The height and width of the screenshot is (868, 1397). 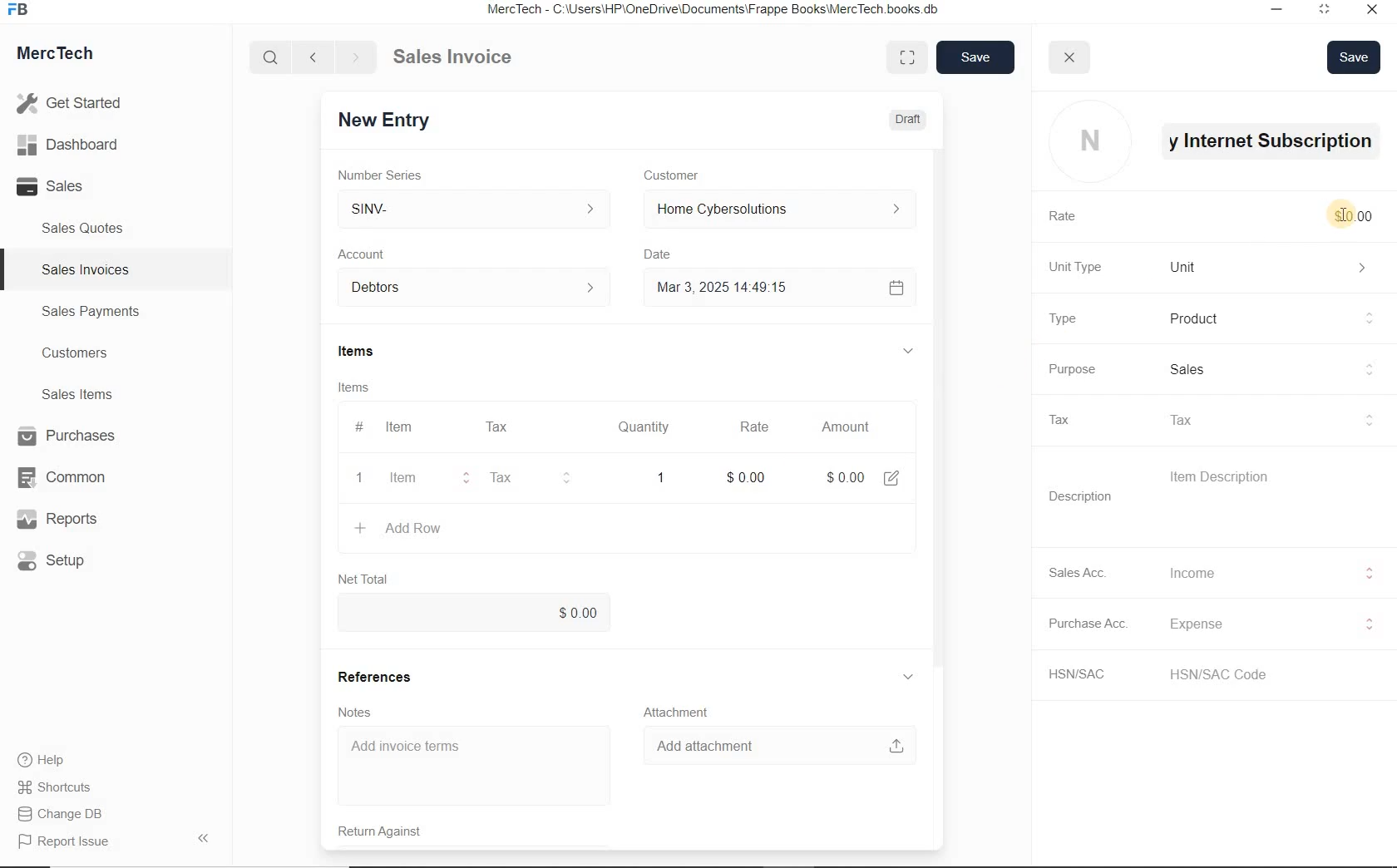 What do you see at coordinates (1227, 477) in the screenshot?
I see `Item Description` at bounding box center [1227, 477].